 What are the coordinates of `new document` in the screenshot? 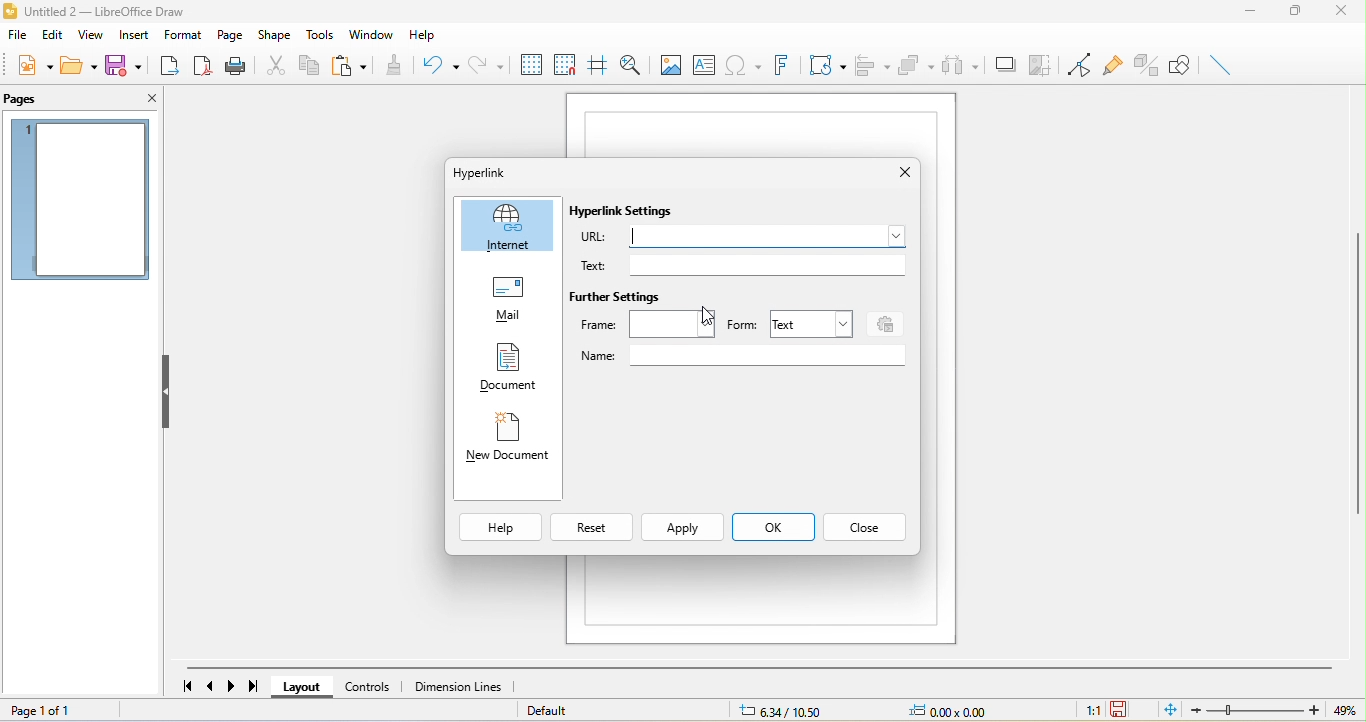 It's located at (508, 440).